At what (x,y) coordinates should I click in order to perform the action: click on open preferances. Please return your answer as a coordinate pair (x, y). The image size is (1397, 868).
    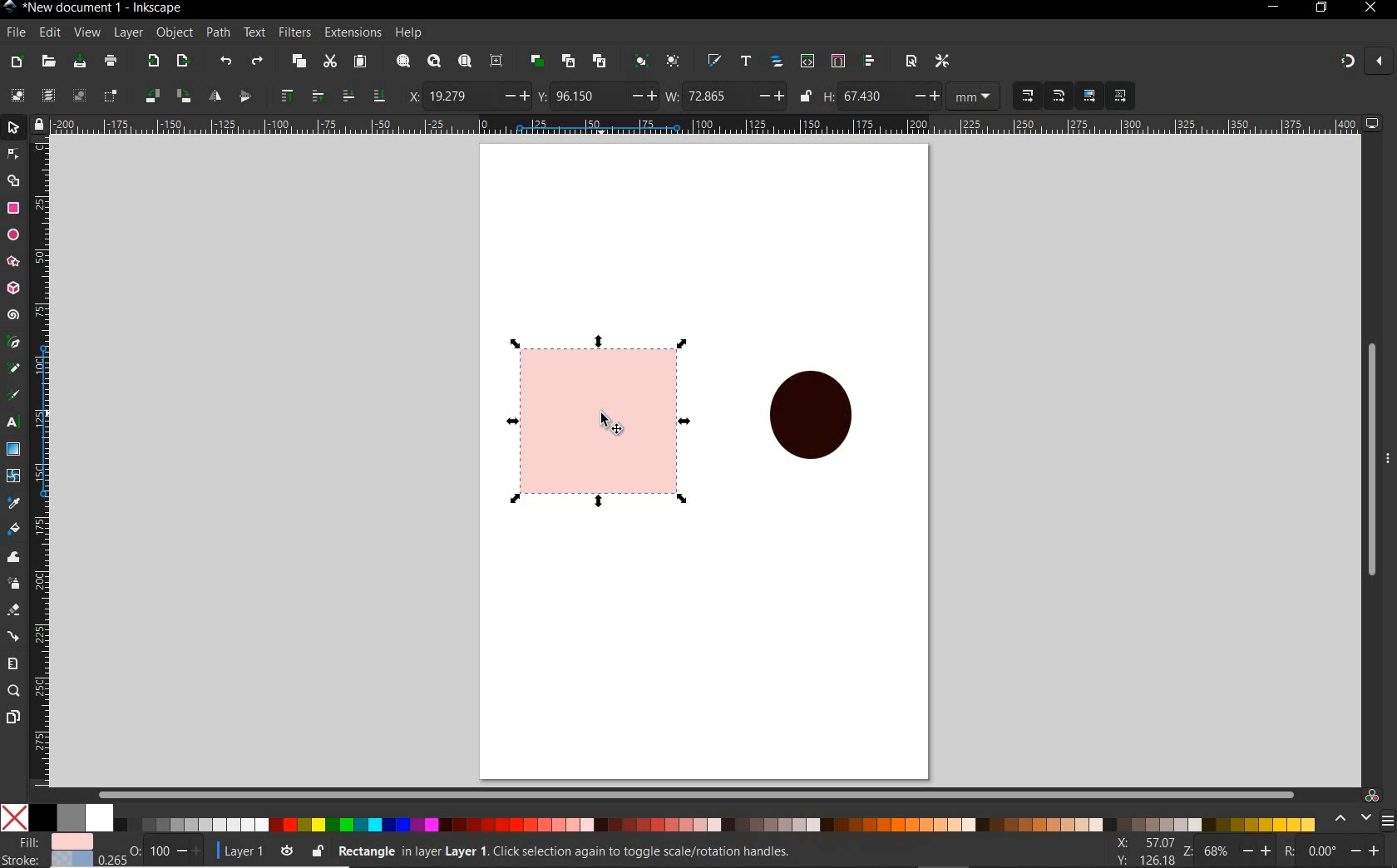
    Looking at the image, I should click on (942, 62).